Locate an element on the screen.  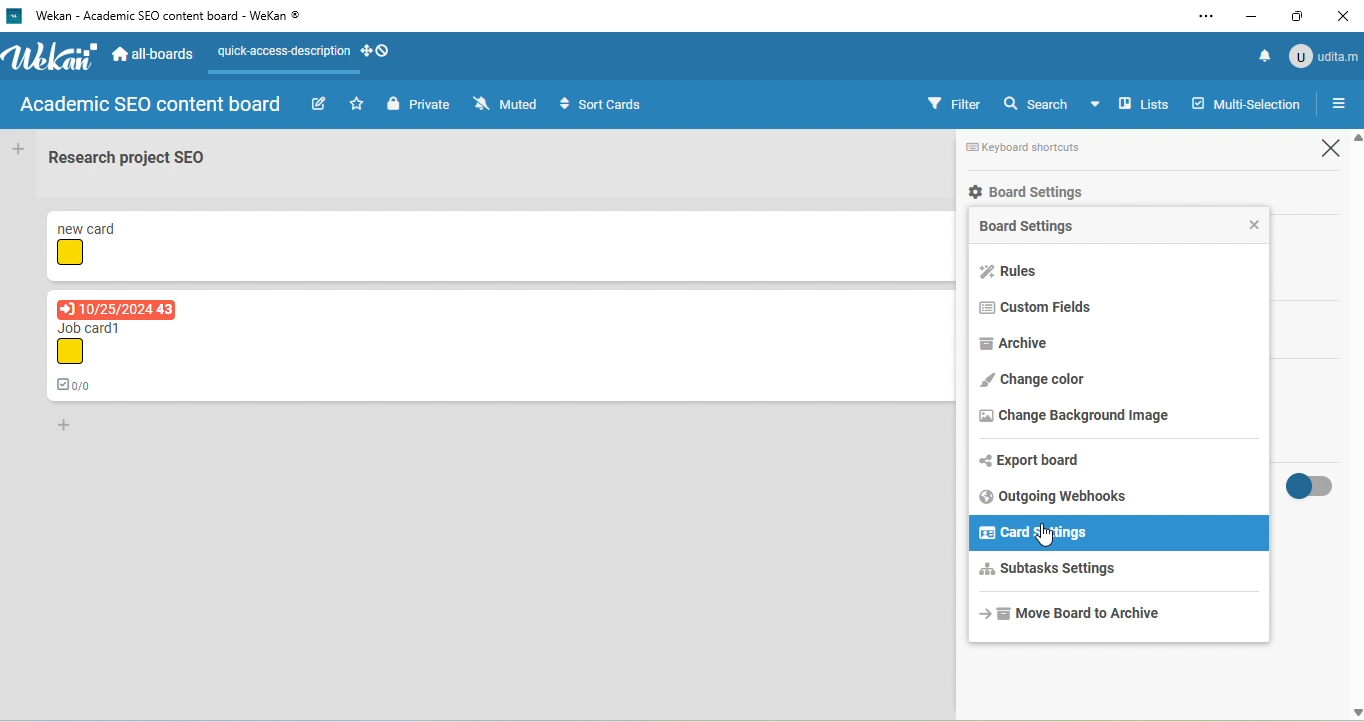
cursor movement is located at coordinates (1044, 537).